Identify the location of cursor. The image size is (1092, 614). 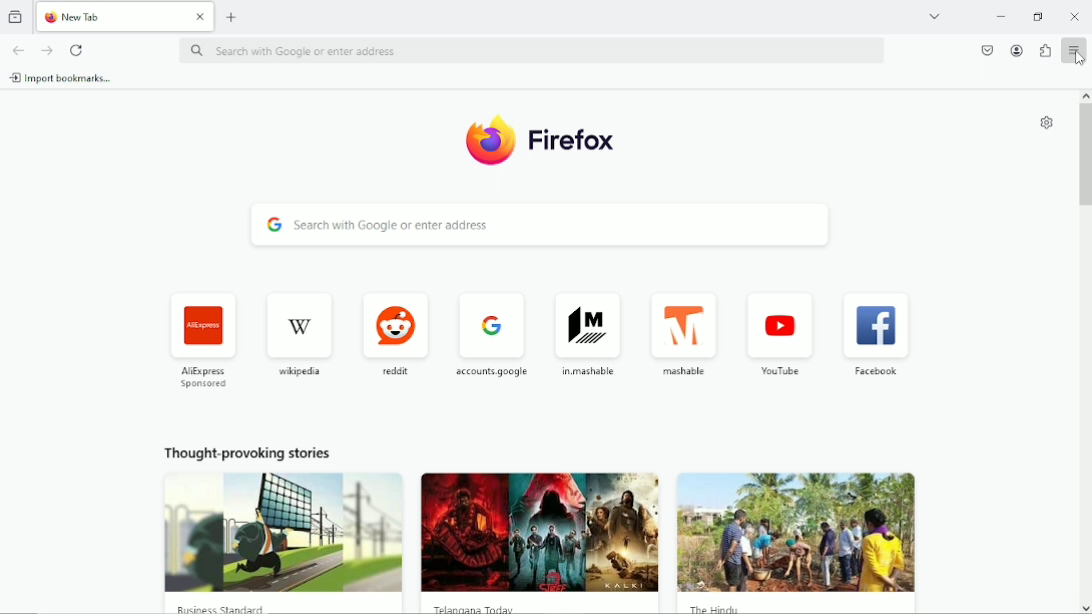
(1077, 58).